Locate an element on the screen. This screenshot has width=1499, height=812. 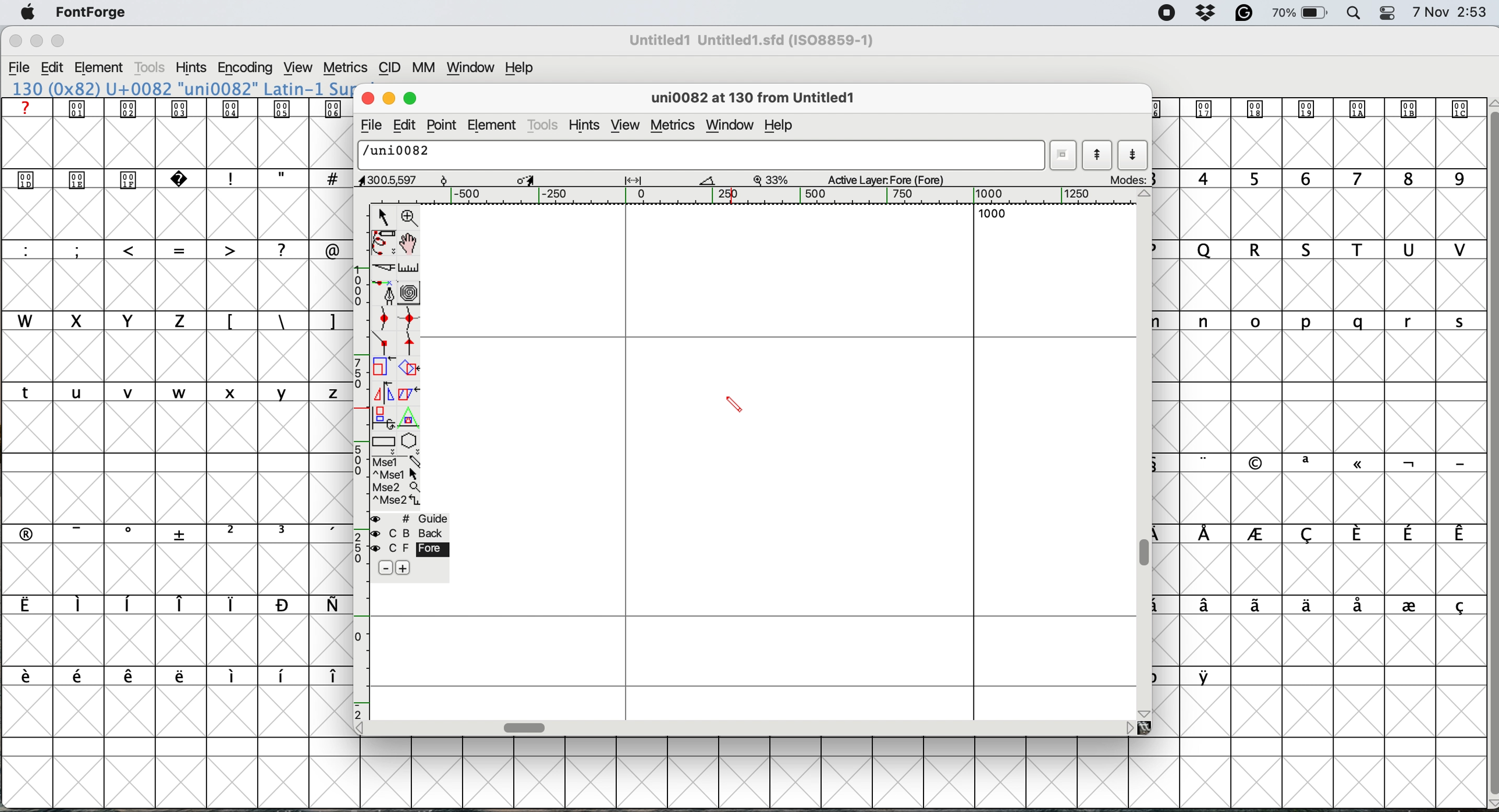
special icons is located at coordinates (1316, 109).